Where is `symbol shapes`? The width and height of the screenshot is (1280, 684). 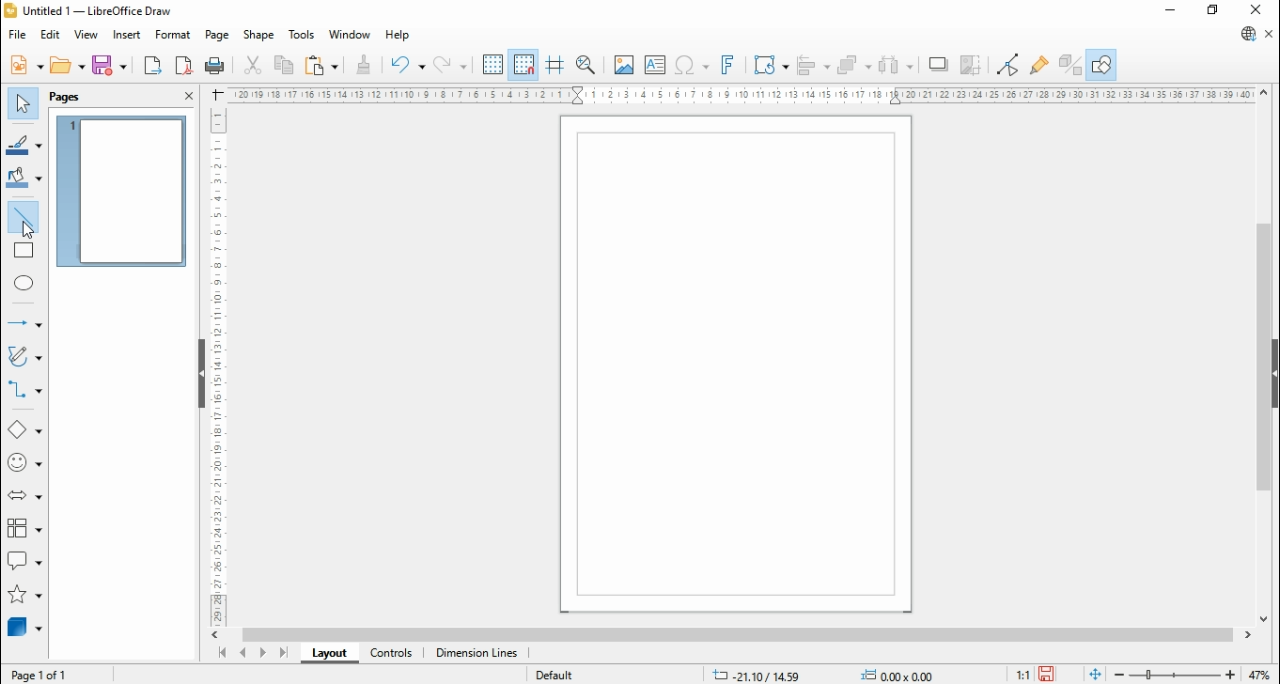
symbol shapes is located at coordinates (24, 463).